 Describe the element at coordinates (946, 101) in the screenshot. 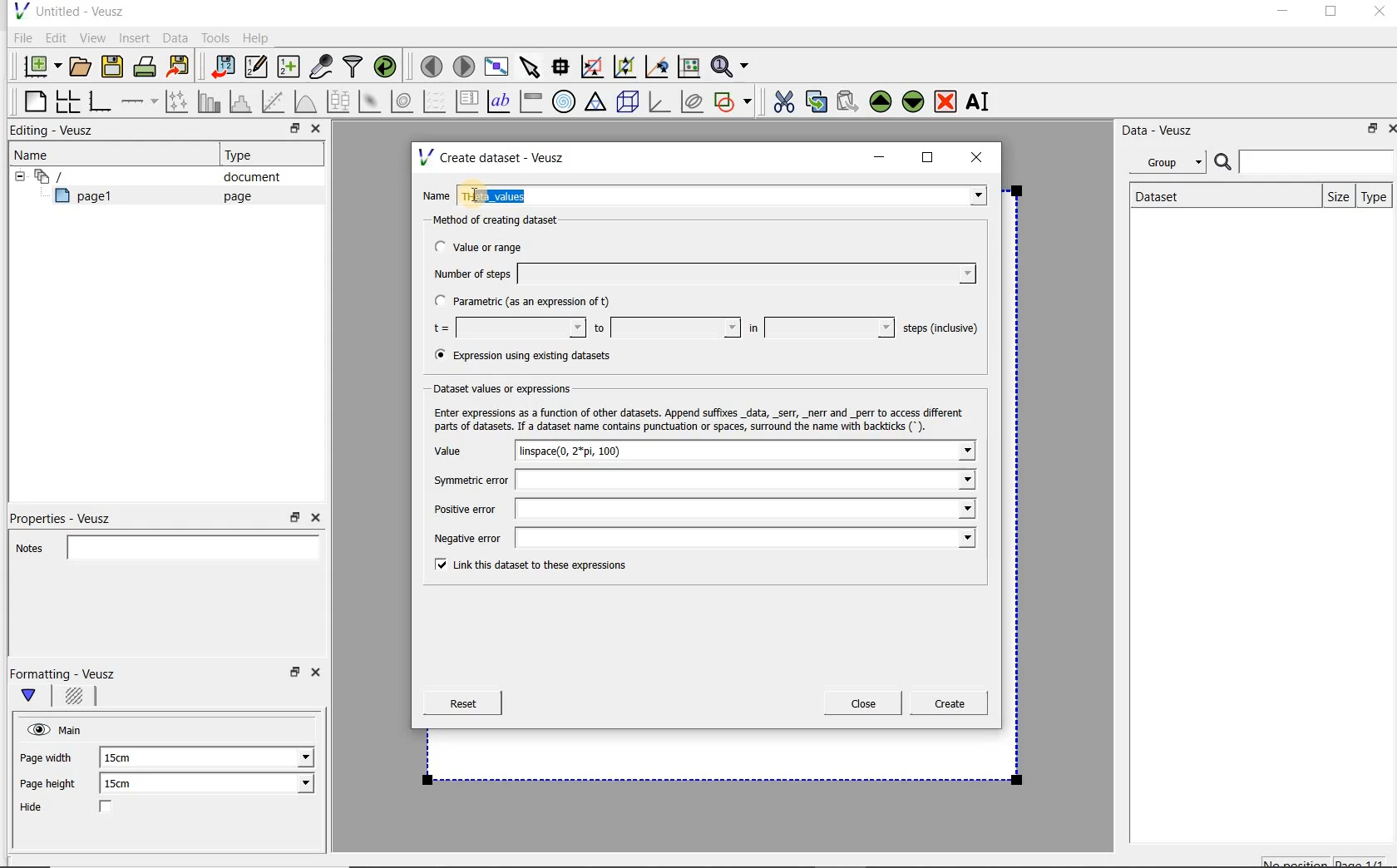

I see `remove the selected widget` at that location.